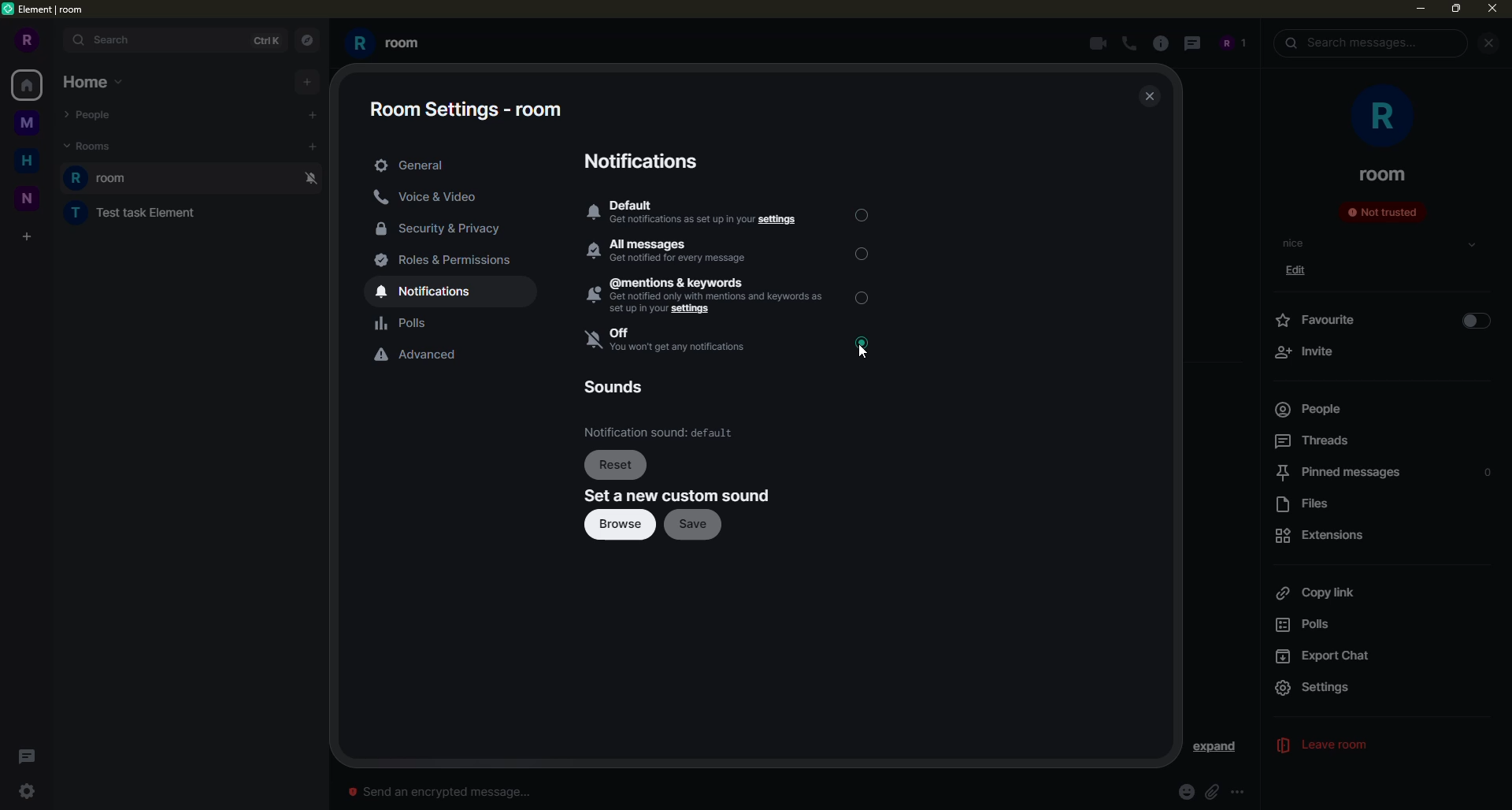 Image resolution: width=1512 pixels, height=810 pixels. I want to click on room R, so click(391, 45).